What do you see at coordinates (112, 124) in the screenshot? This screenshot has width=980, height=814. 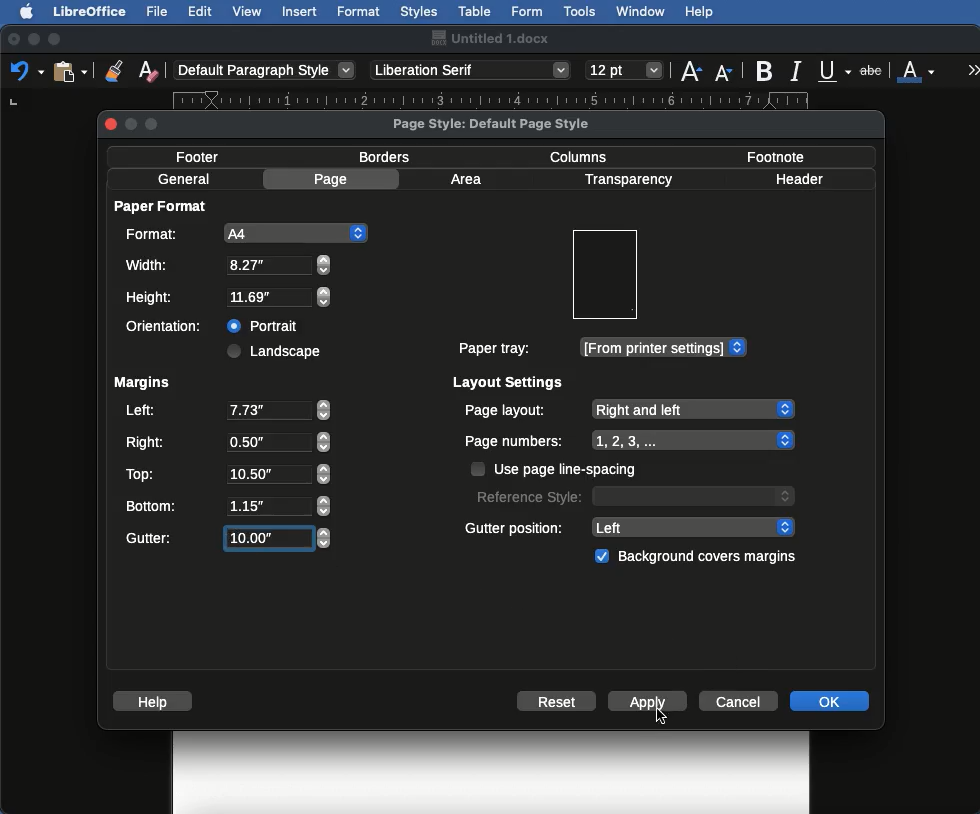 I see `close` at bounding box center [112, 124].